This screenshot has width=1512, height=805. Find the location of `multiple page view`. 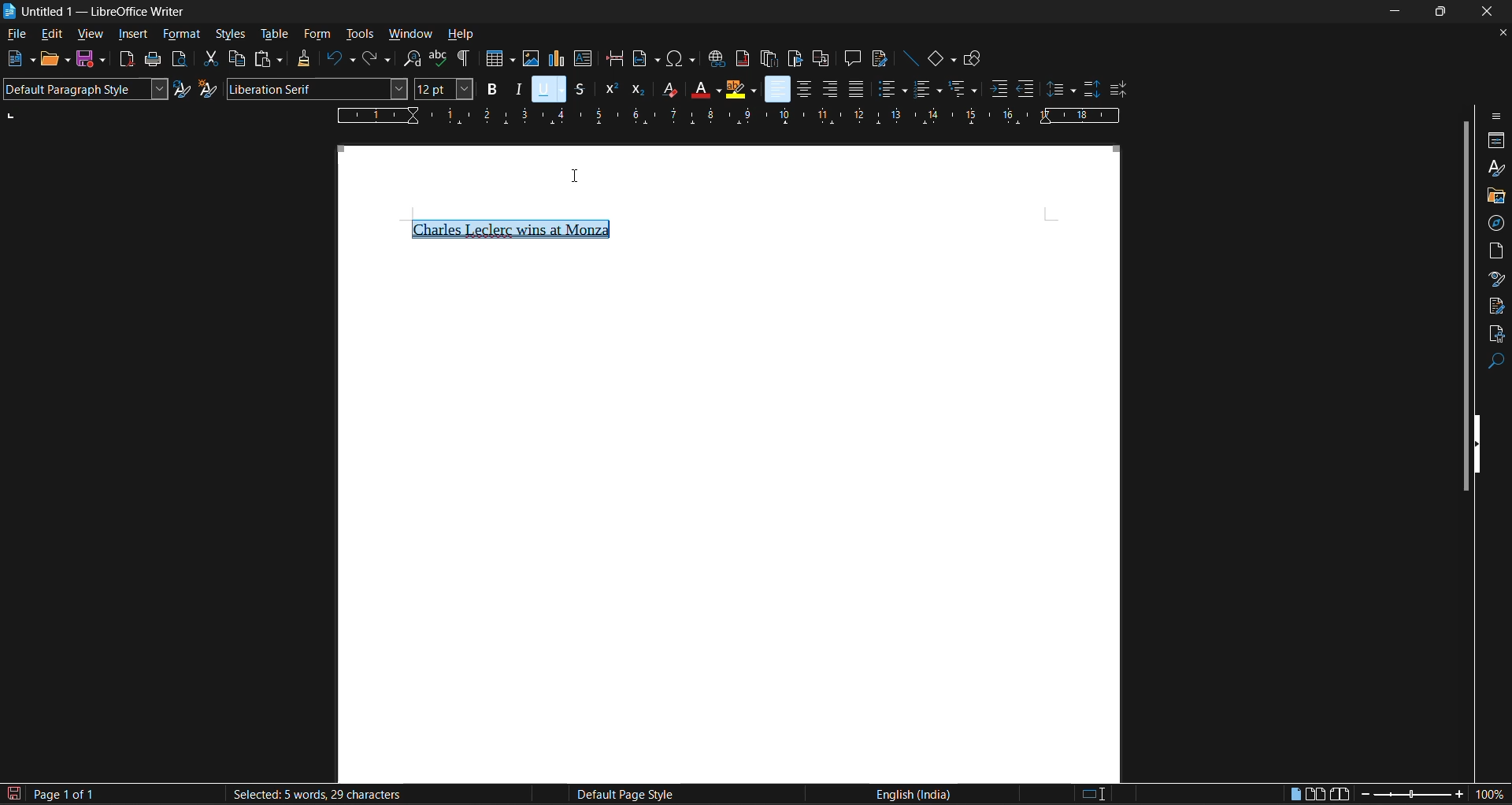

multiple page view is located at coordinates (1315, 793).